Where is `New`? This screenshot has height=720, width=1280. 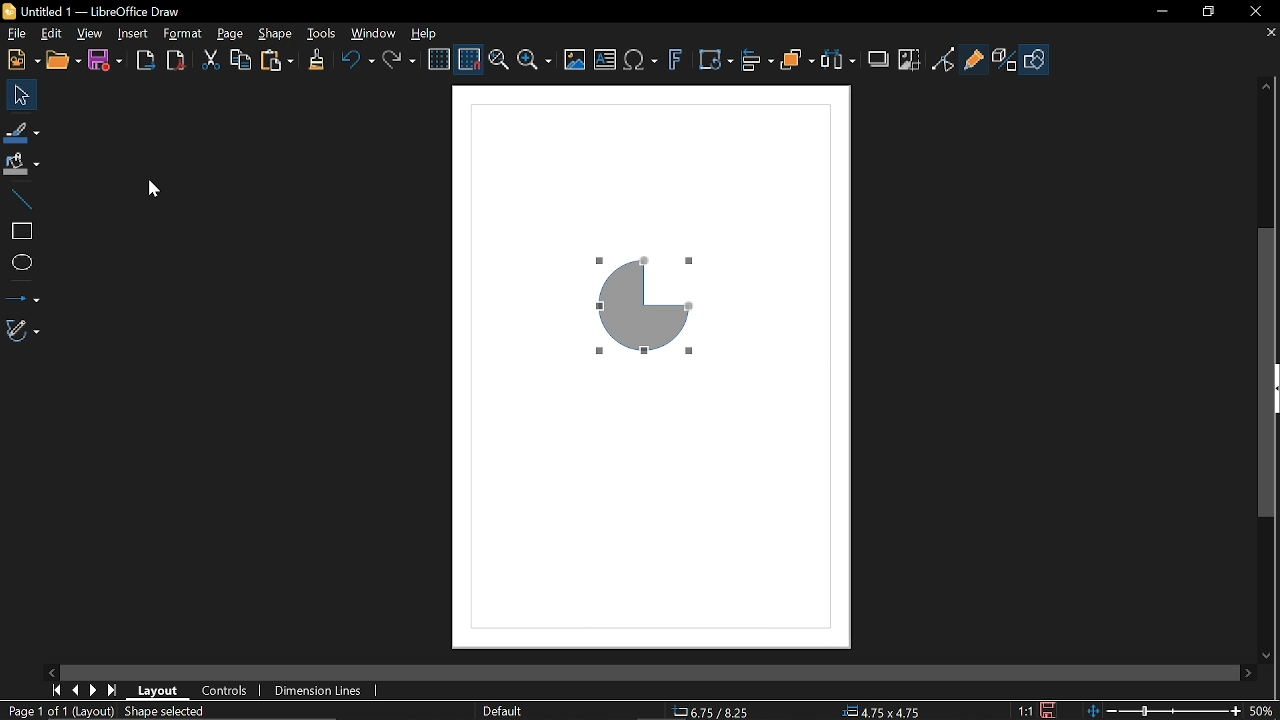
New is located at coordinates (21, 60).